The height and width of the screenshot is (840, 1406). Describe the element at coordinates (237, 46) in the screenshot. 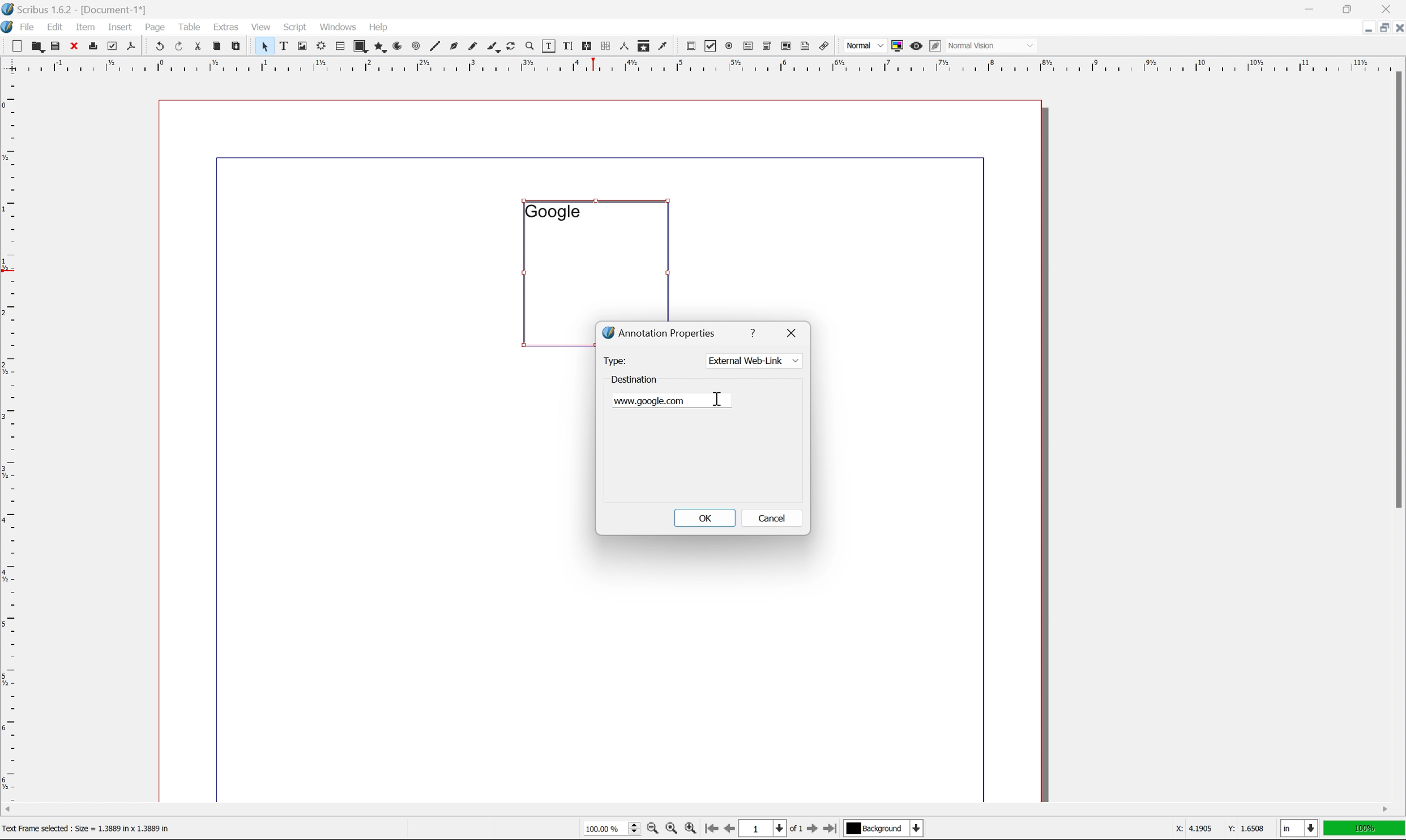

I see `paste` at that location.